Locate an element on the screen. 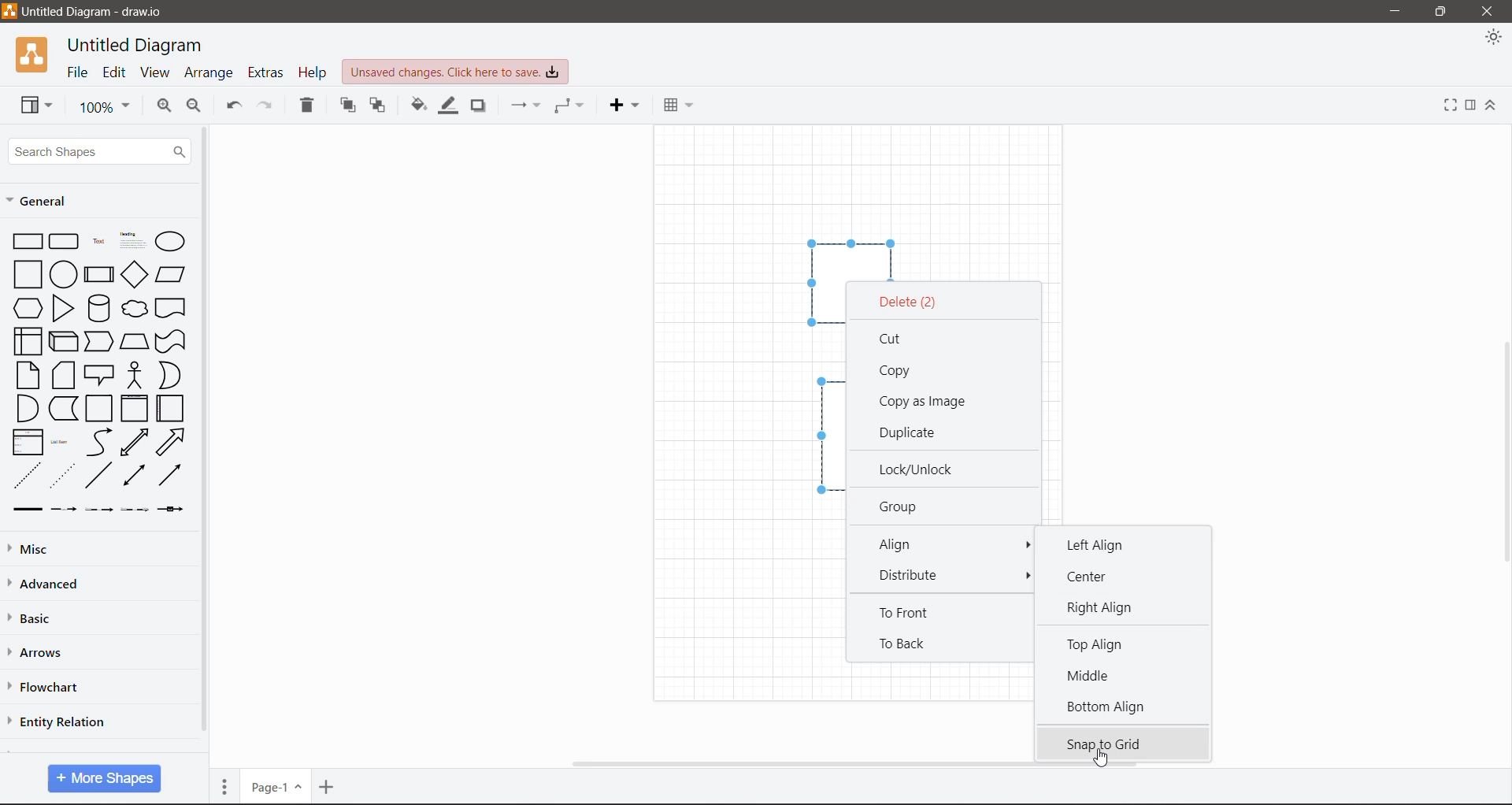 The height and width of the screenshot is (805, 1512). Top Align is located at coordinates (1098, 647).